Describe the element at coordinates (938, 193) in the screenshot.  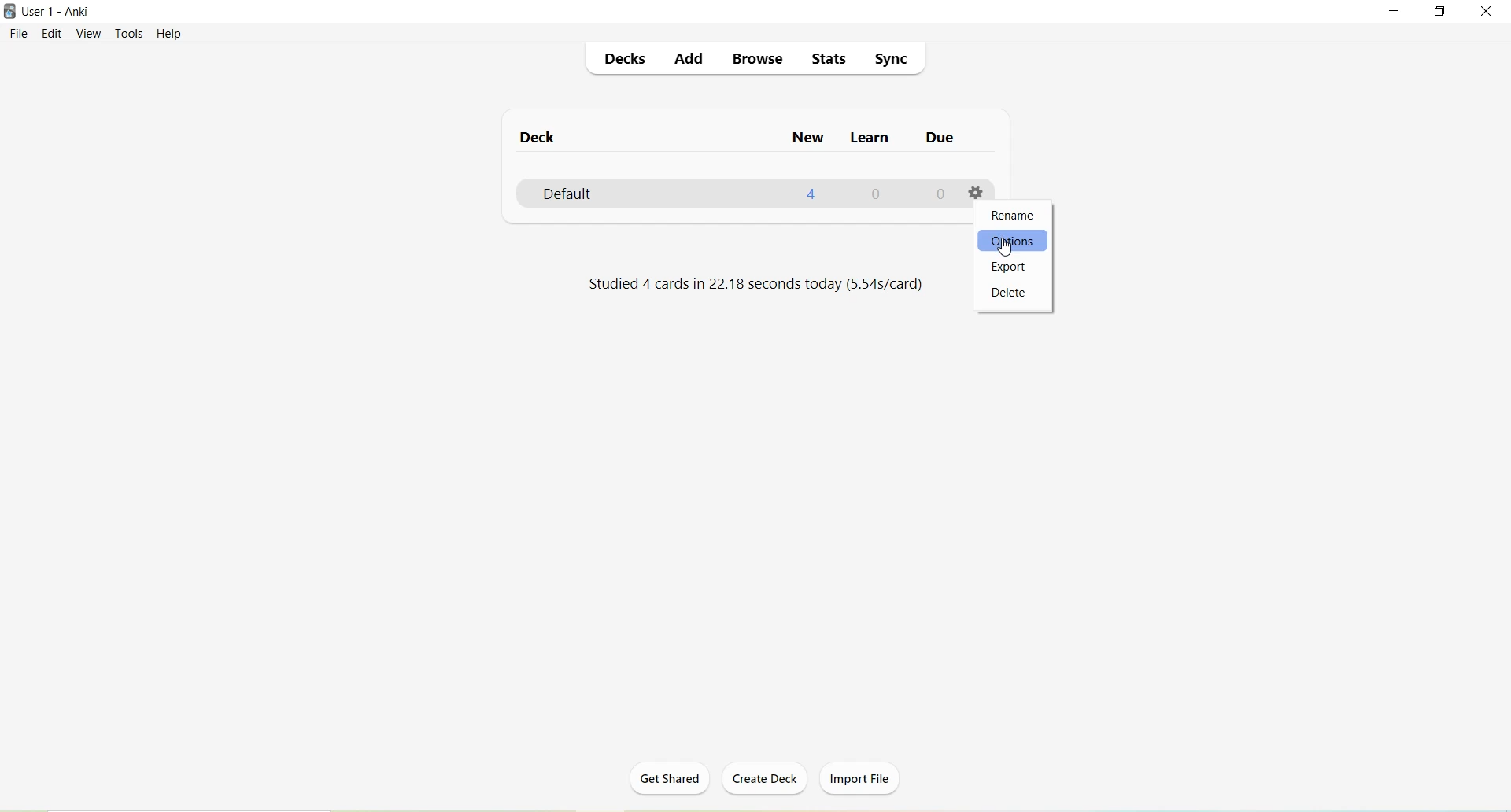
I see `0` at that location.